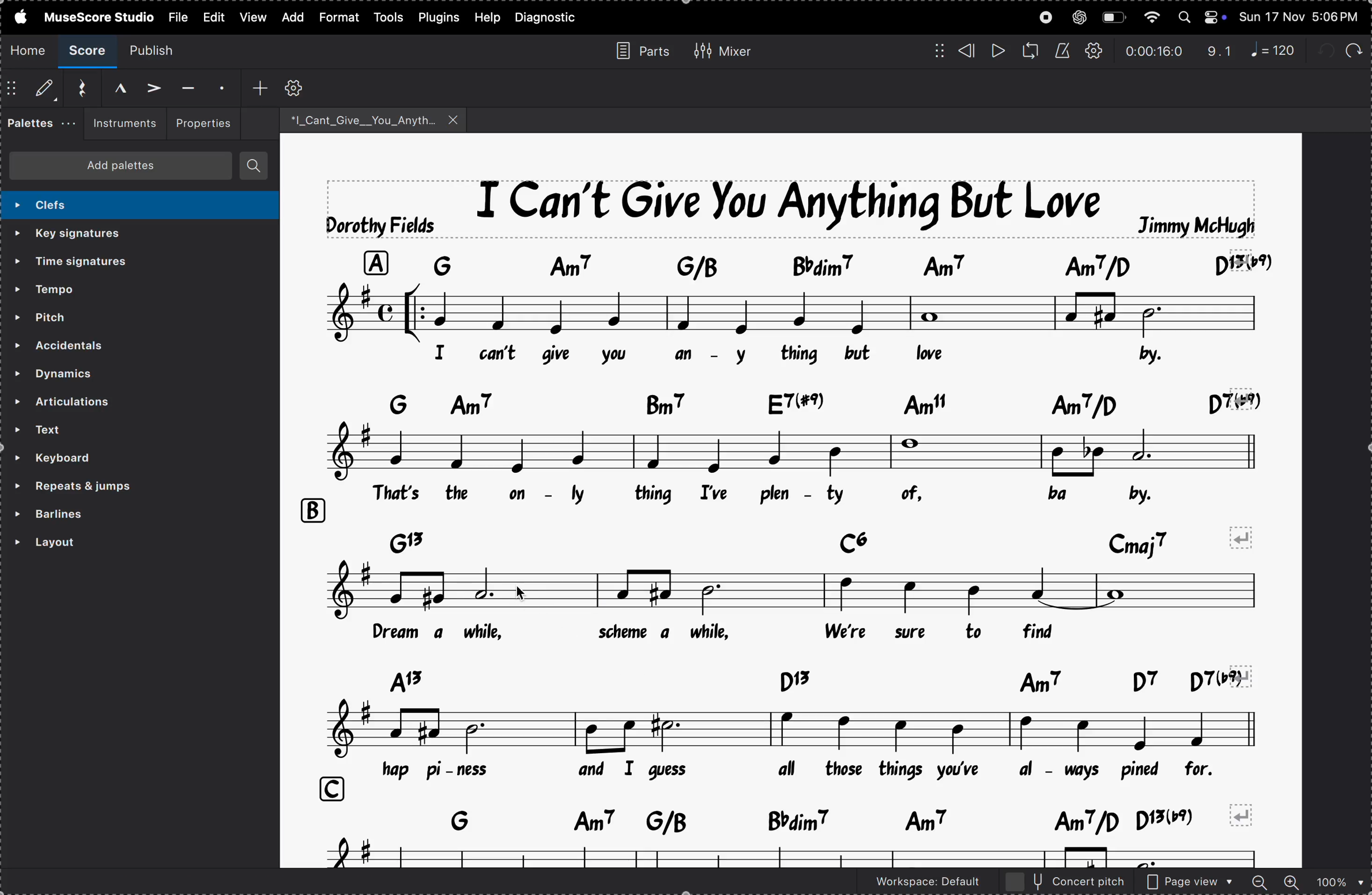 The width and height of the screenshot is (1372, 895). What do you see at coordinates (390, 17) in the screenshot?
I see `tools` at bounding box center [390, 17].